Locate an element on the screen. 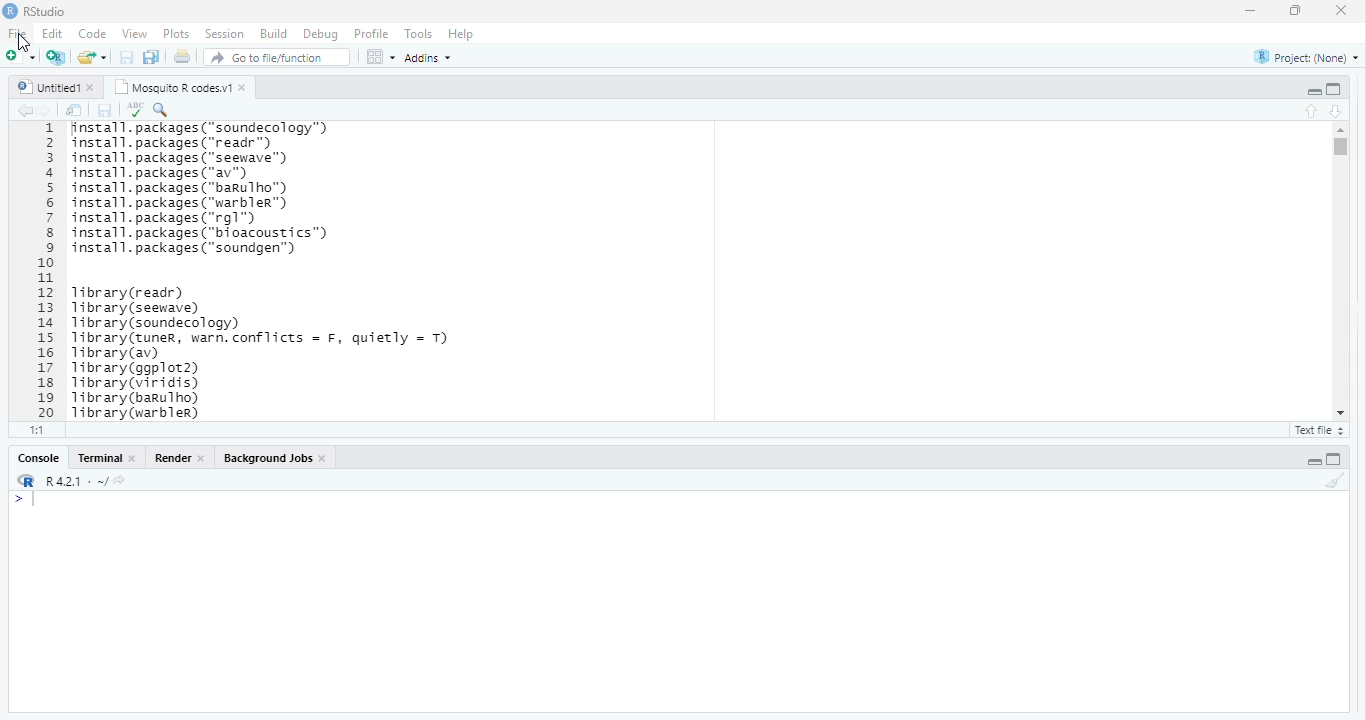 The image size is (1366, 720). Render is located at coordinates (174, 458).